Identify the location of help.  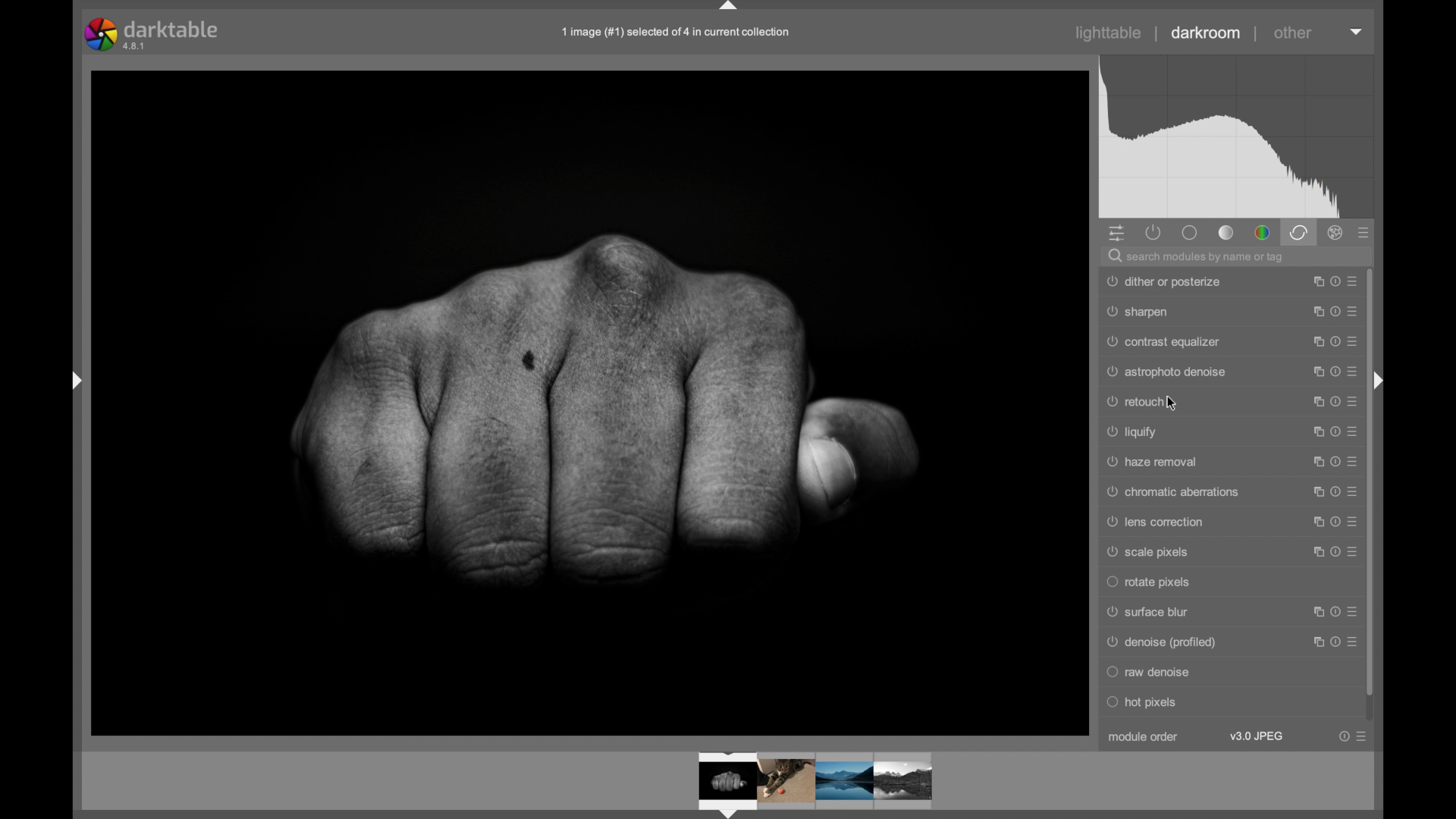
(1332, 462).